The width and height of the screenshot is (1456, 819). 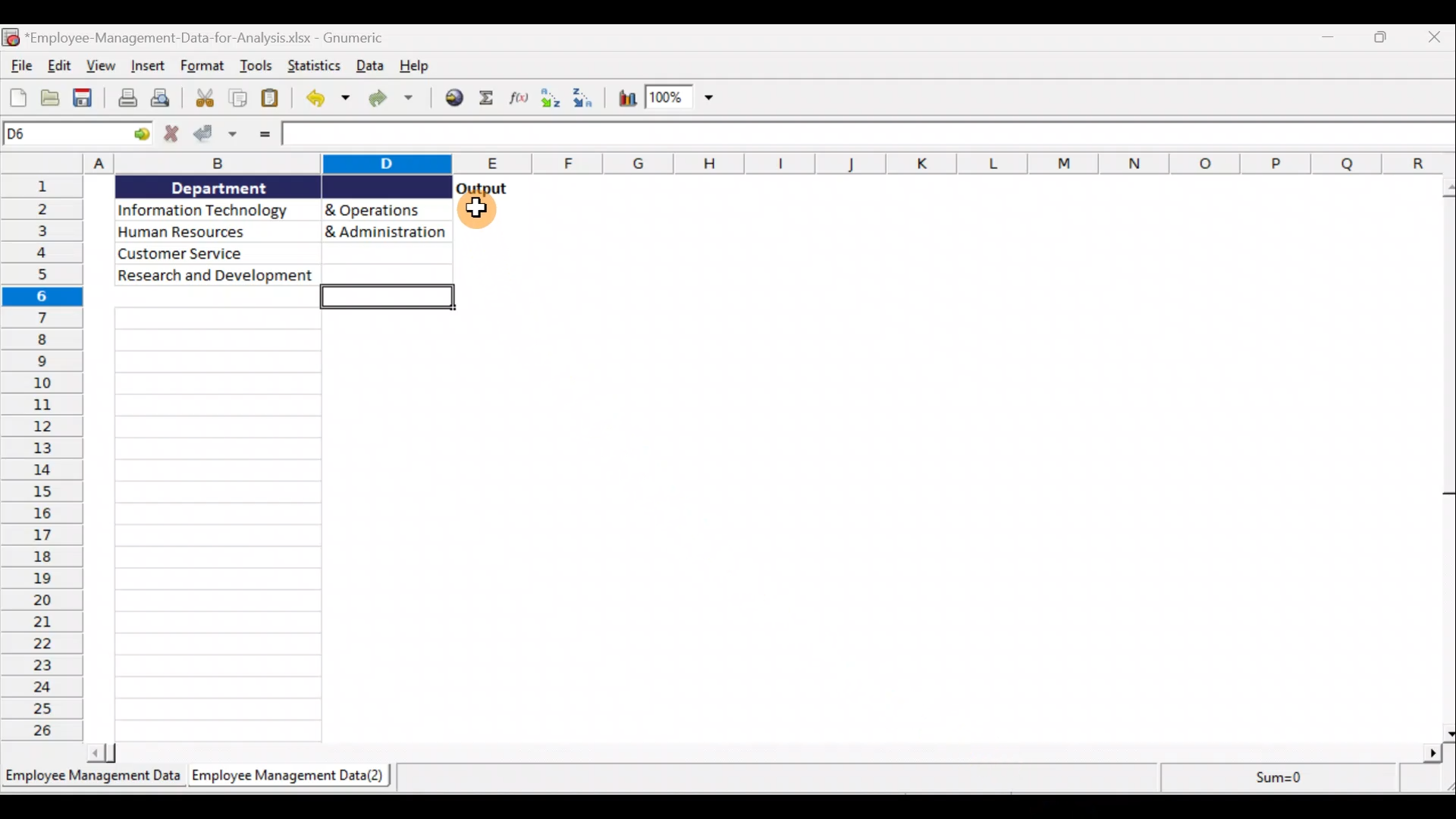 What do you see at coordinates (272, 98) in the screenshot?
I see `Paste clipboard` at bounding box center [272, 98].